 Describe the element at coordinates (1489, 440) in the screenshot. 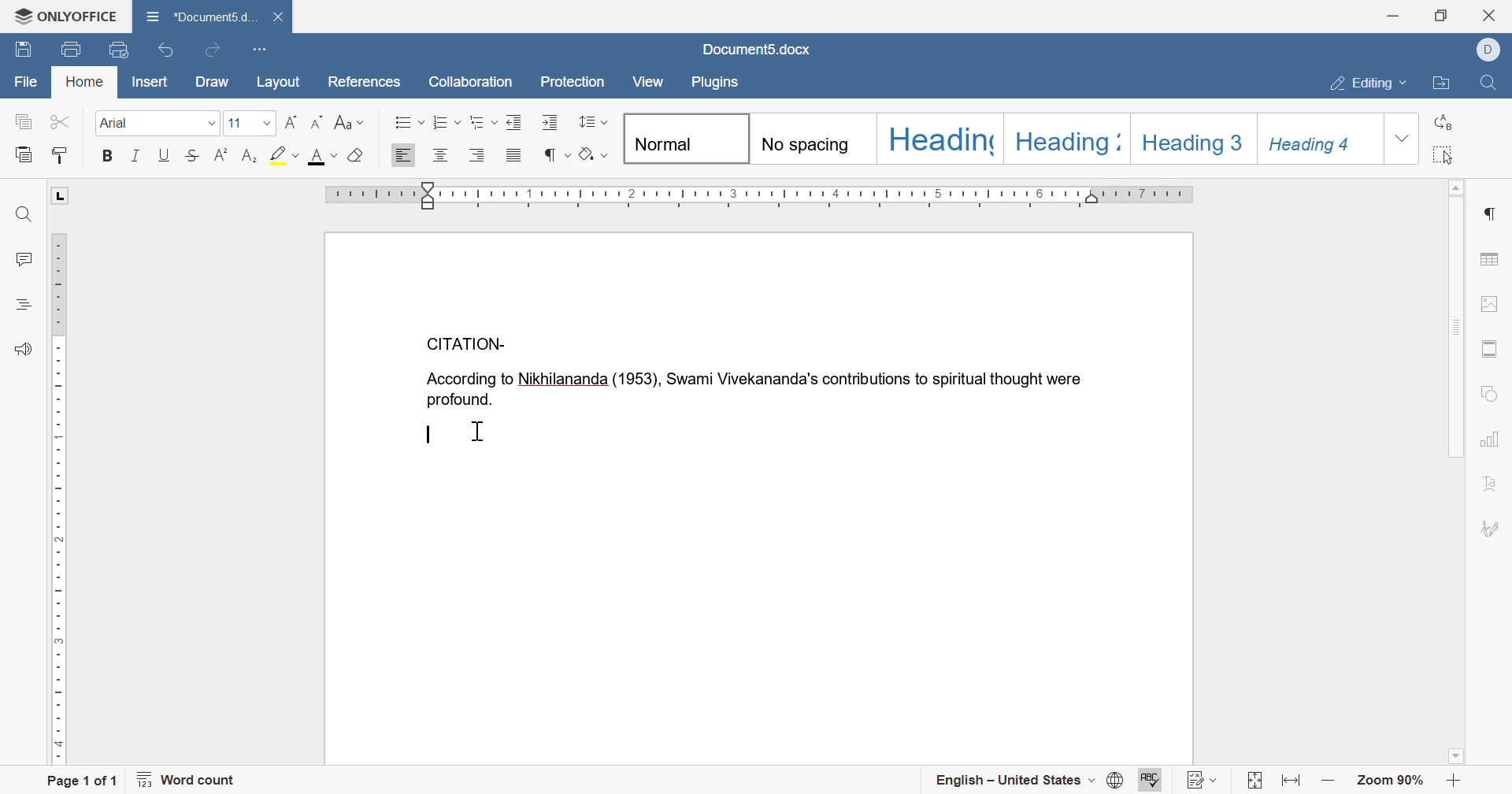

I see `chart settings` at that location.